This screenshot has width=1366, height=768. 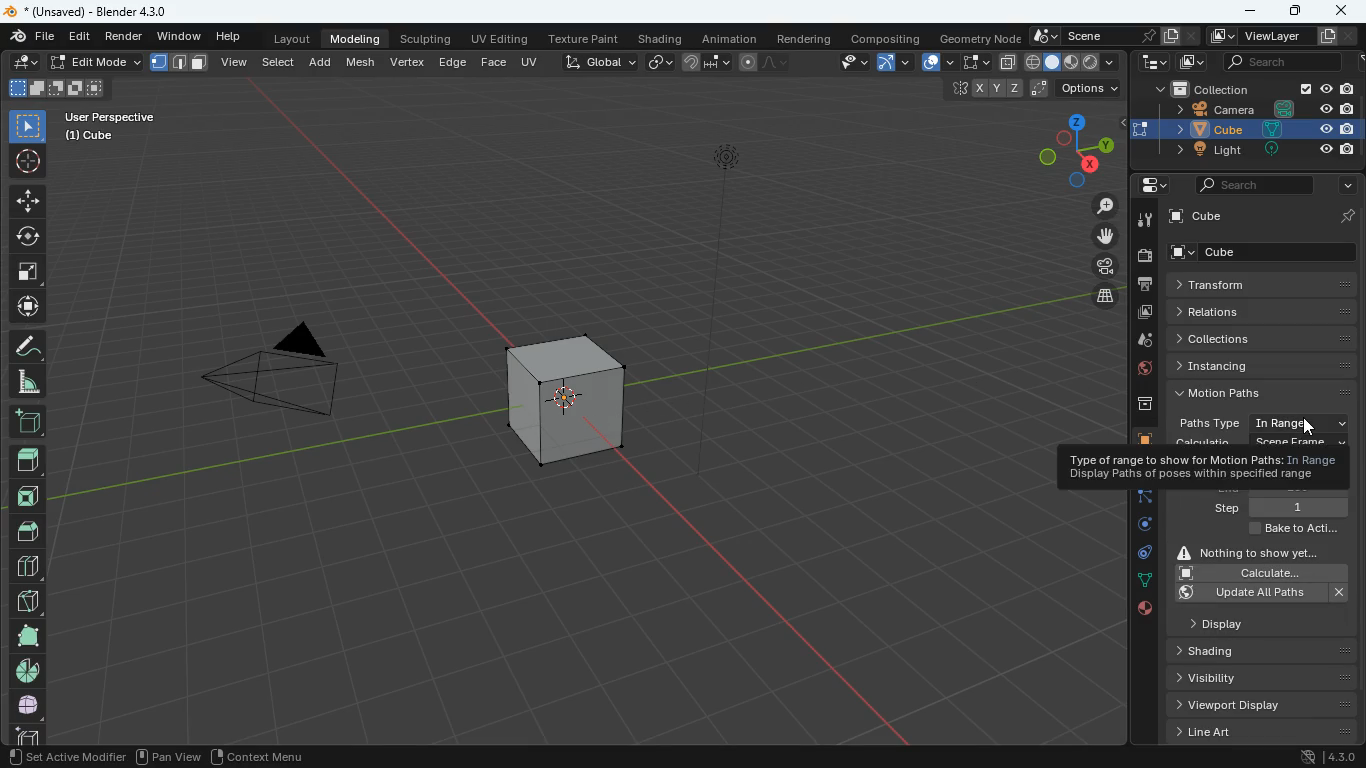 What do you see at coordinates (1249, 10) in the screenshot?
I see `minimize` at bounding box center [1249, 10].